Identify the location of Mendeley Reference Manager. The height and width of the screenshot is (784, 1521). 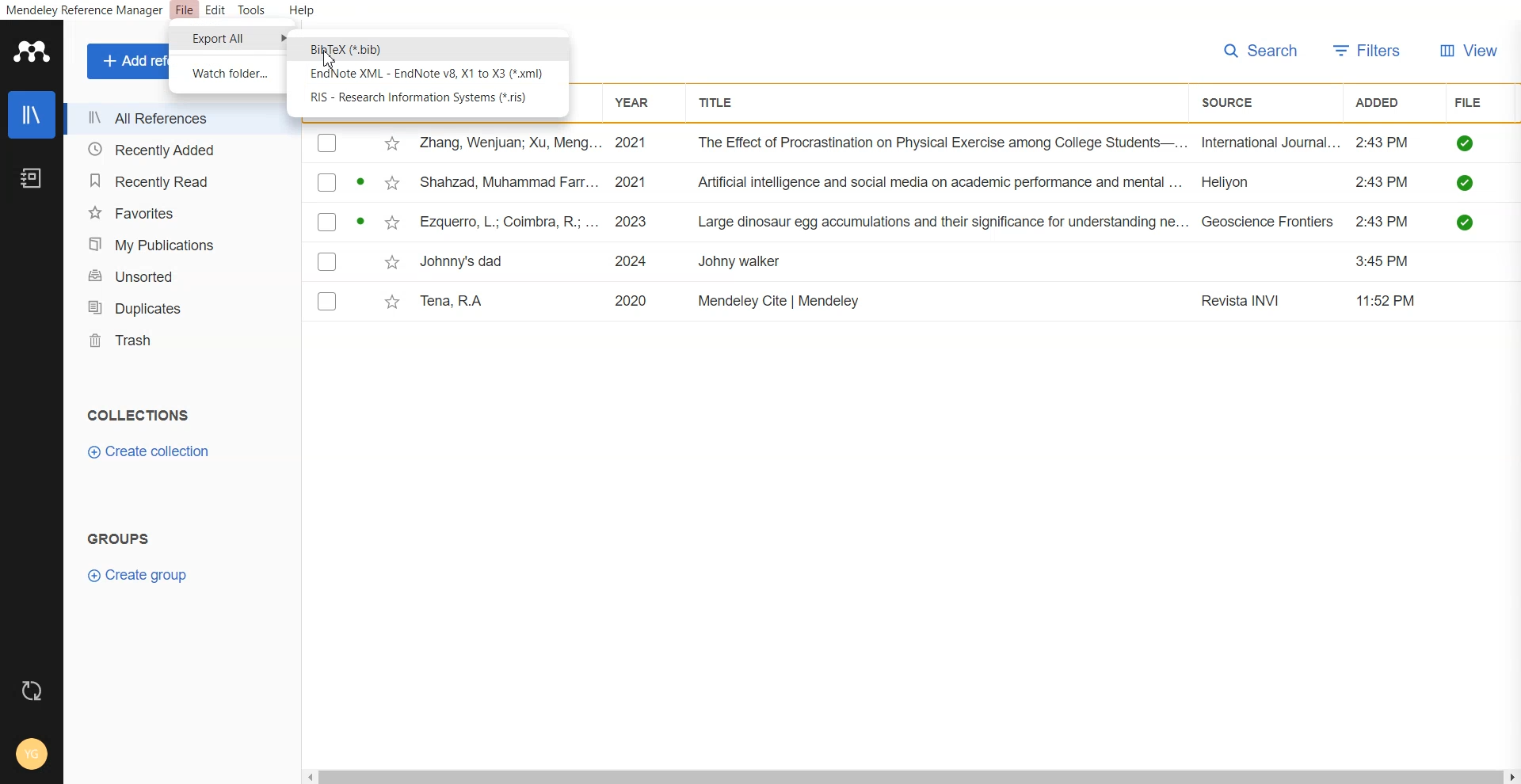
(84, 11).